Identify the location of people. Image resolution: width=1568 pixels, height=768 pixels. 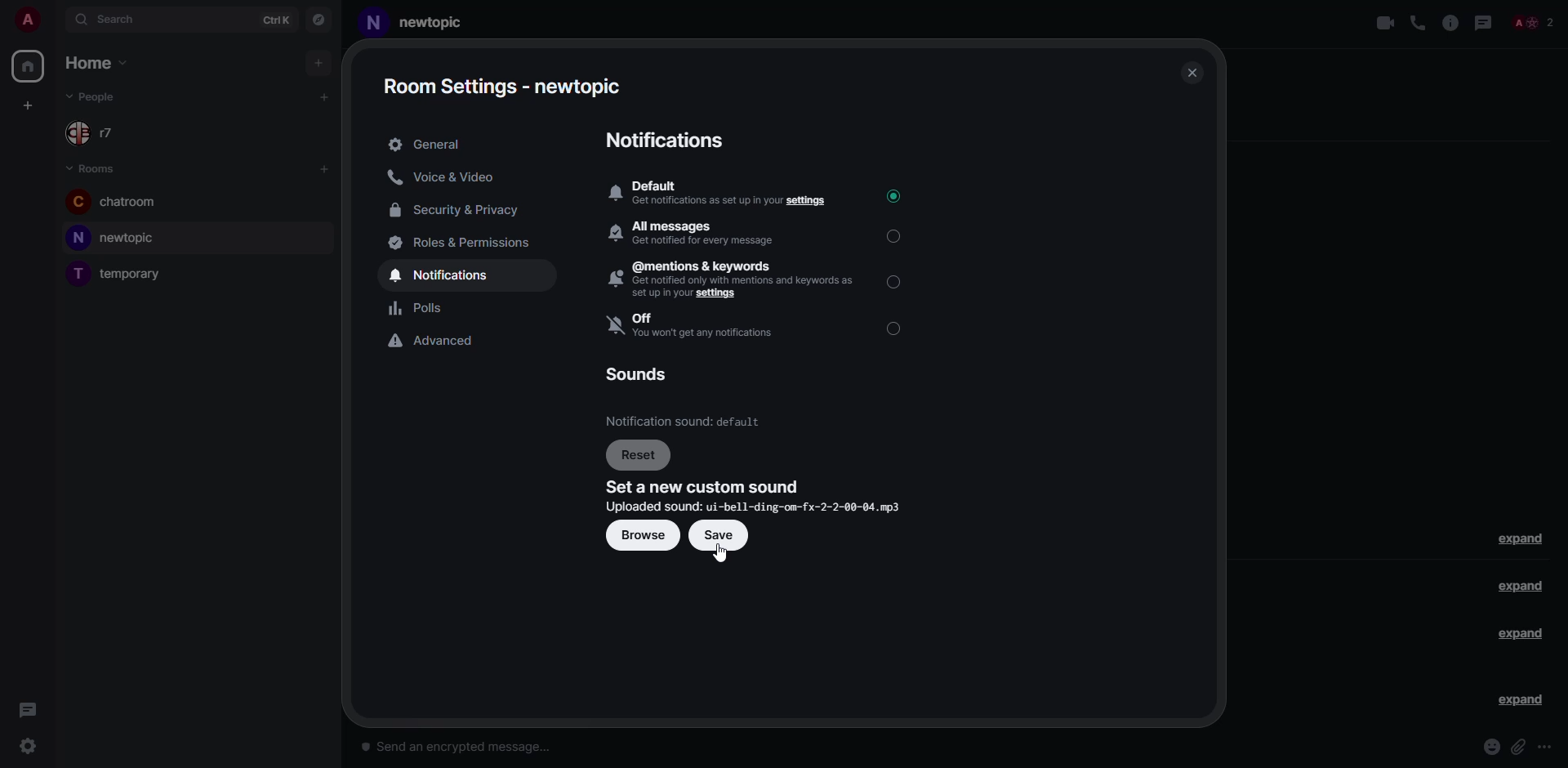
(99, 135).